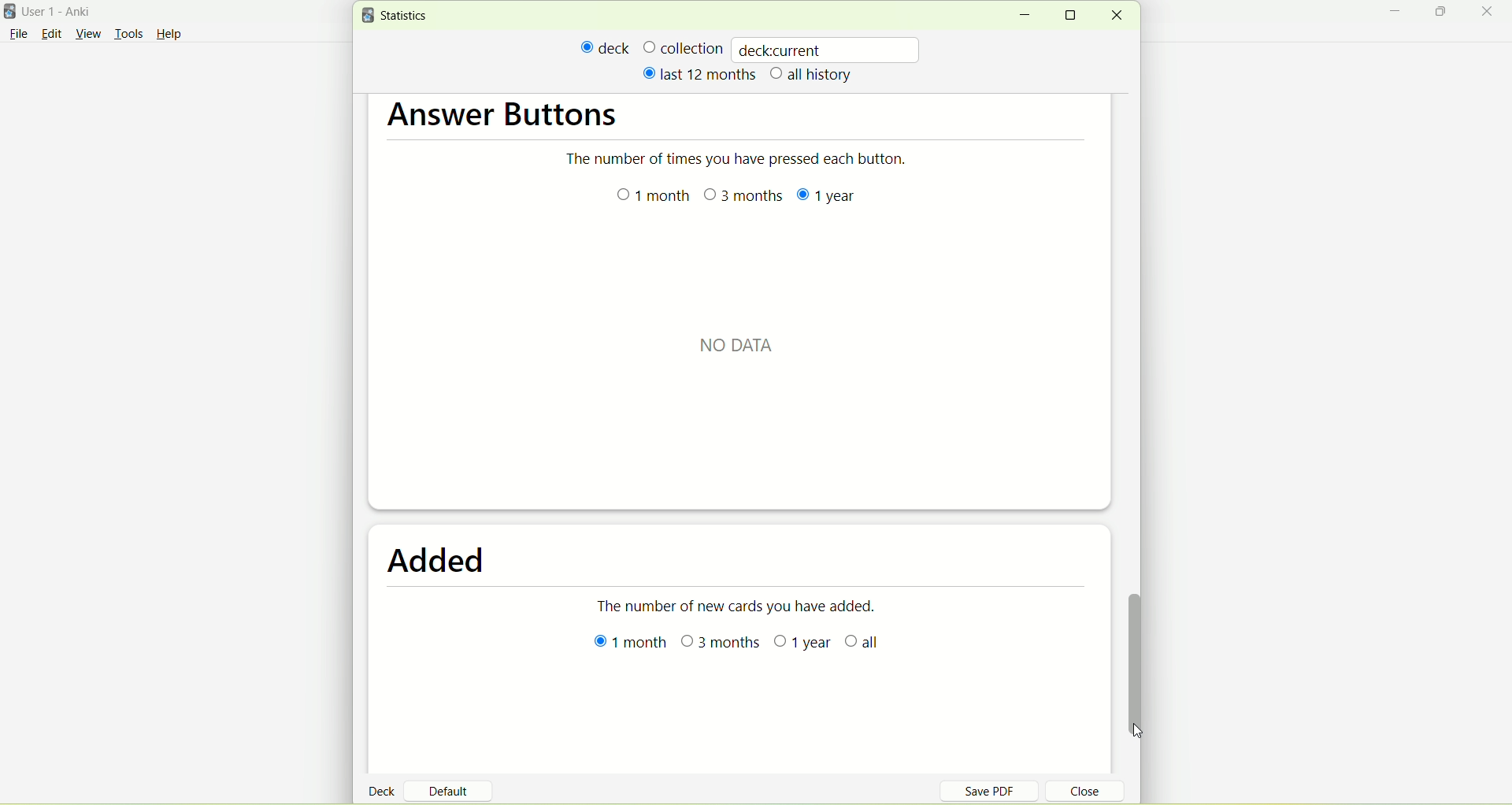 The height and width of the screenshot is (805, 1512). I want to click on 3 months, so click(721, 647).